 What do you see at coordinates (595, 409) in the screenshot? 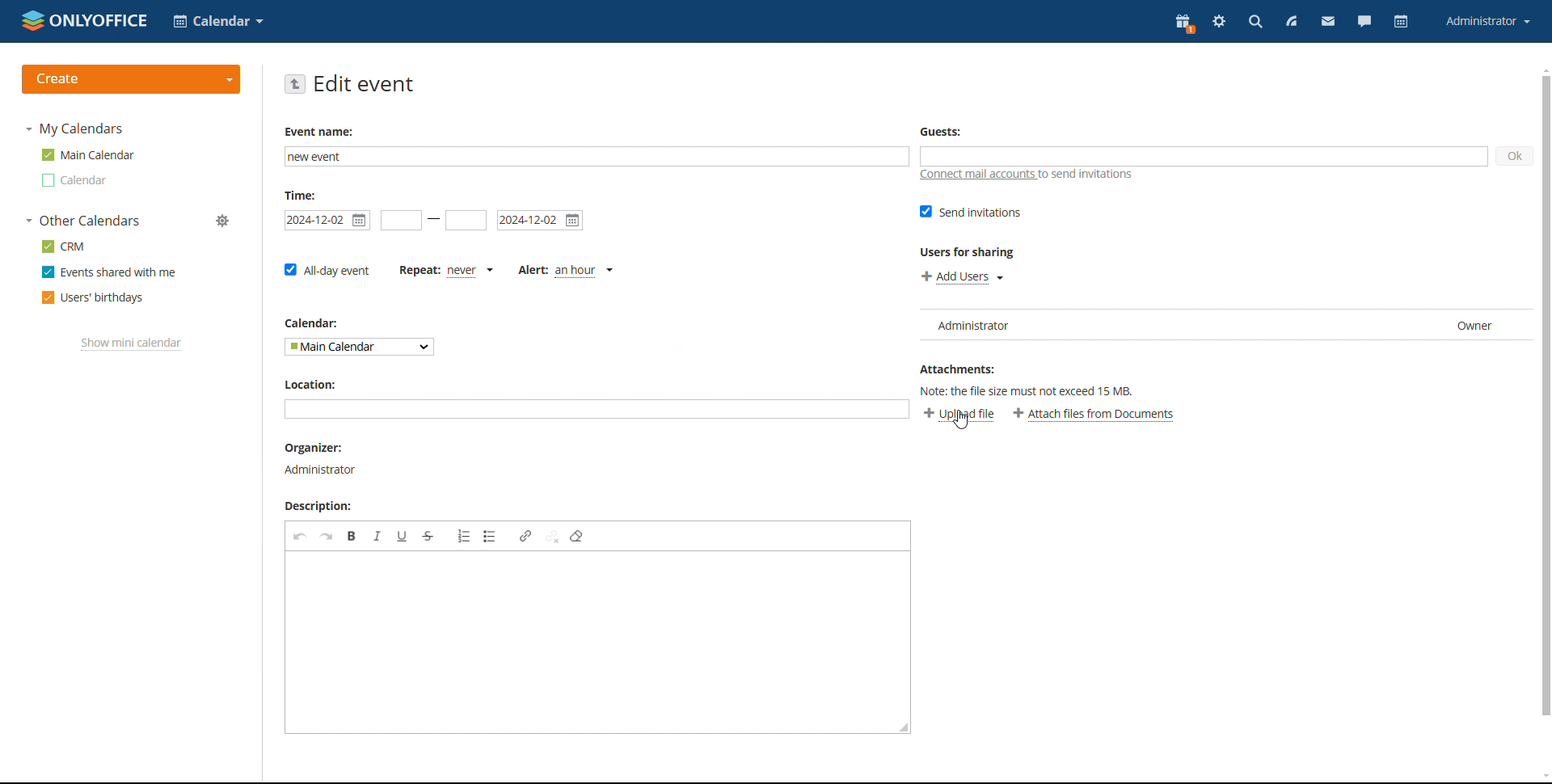
I see `add location` at bounding box center [595, 409].